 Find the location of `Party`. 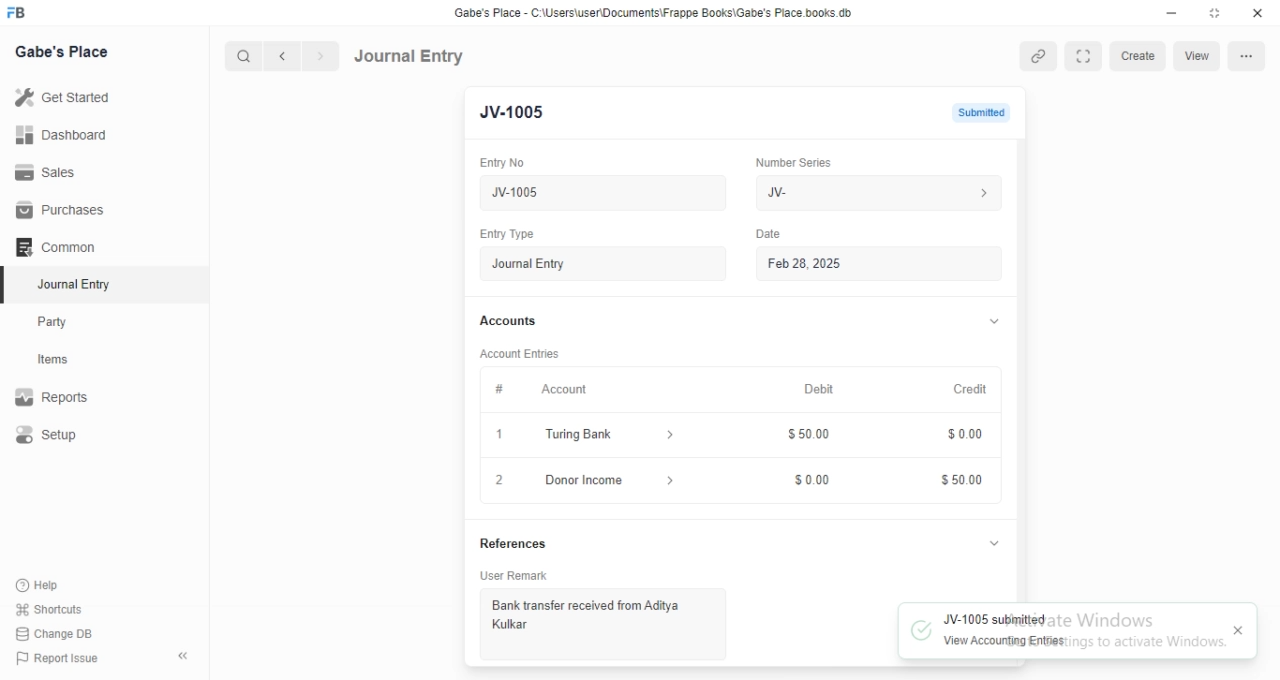

Party is located at coordinates (66, 322).